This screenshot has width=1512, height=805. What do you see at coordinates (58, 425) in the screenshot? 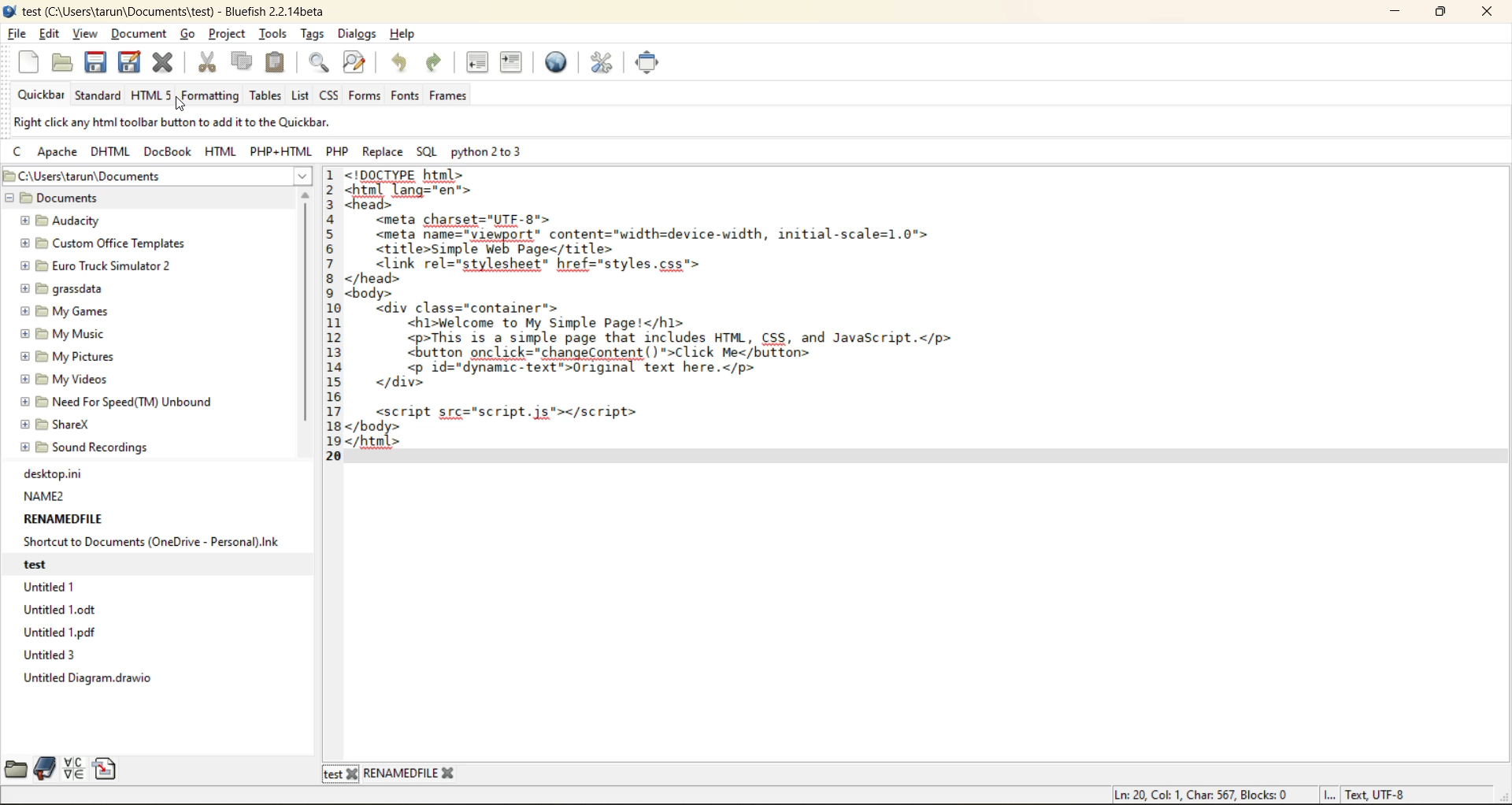
I see `# [9 ShareX` at bounding box center [58, 425].